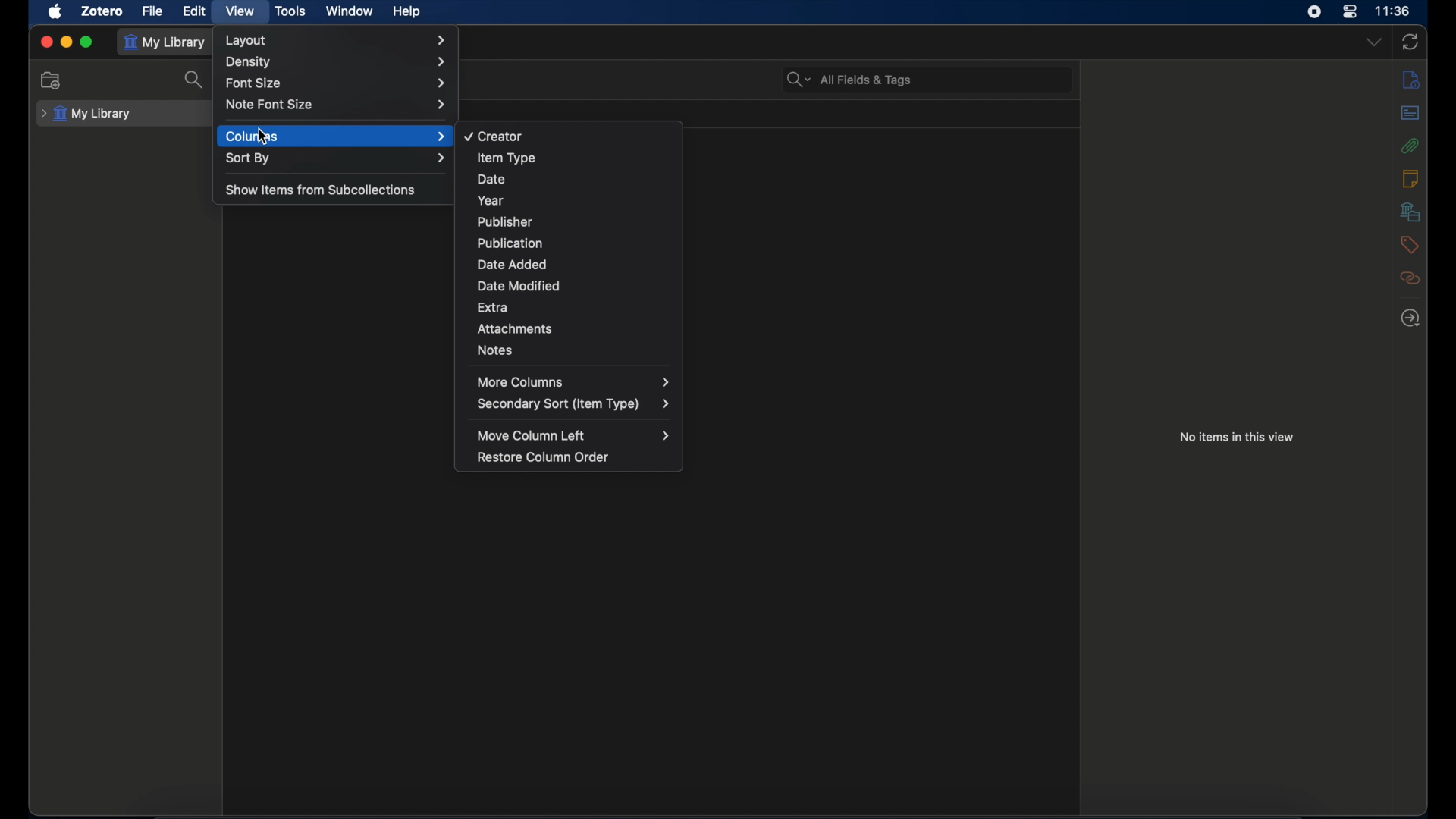 This screenshot has height=819, width=1456. Describe the element at coordinates (1411, 179) in the screenshot. I see `notes` at that location.